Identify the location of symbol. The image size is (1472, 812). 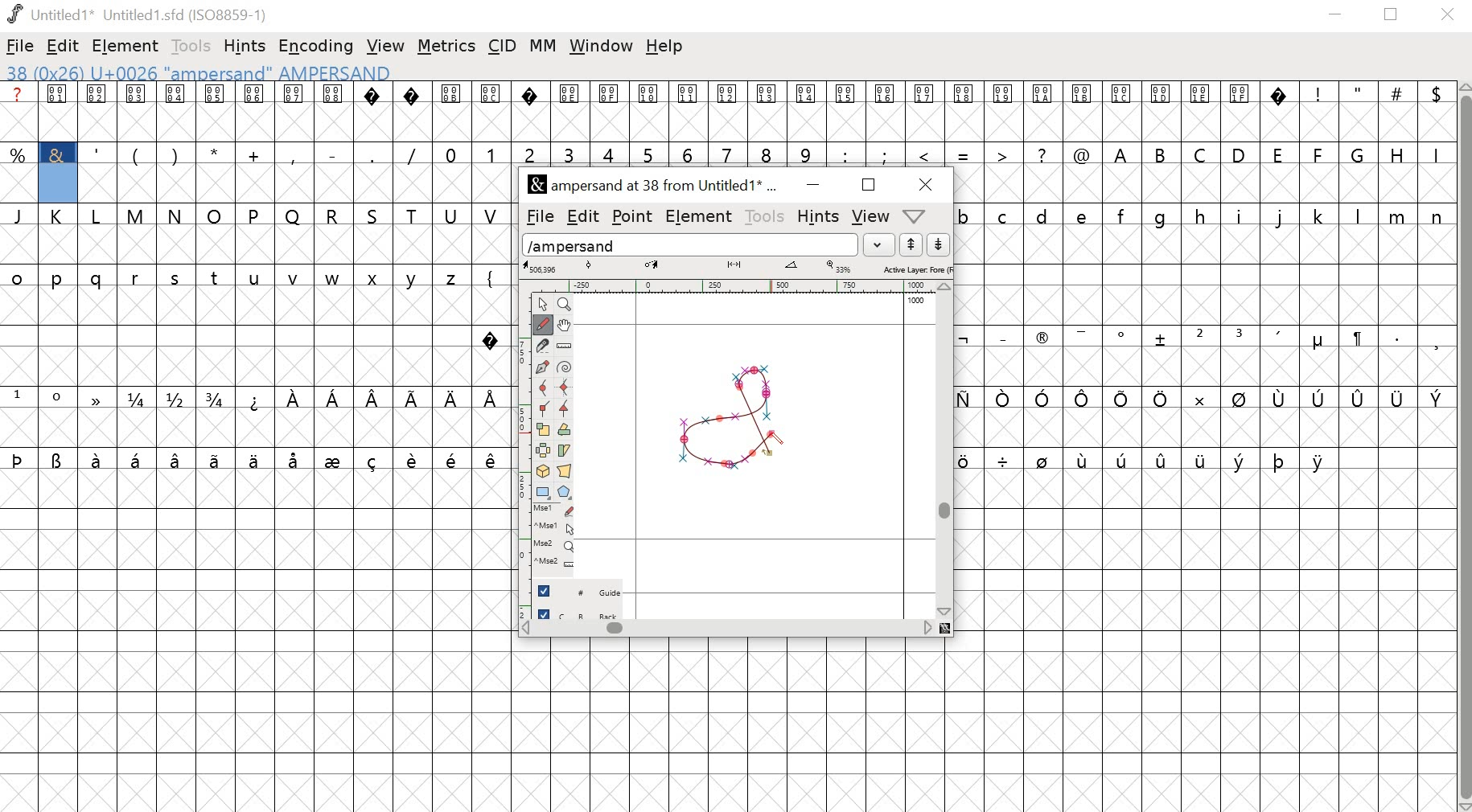
(335, 459).